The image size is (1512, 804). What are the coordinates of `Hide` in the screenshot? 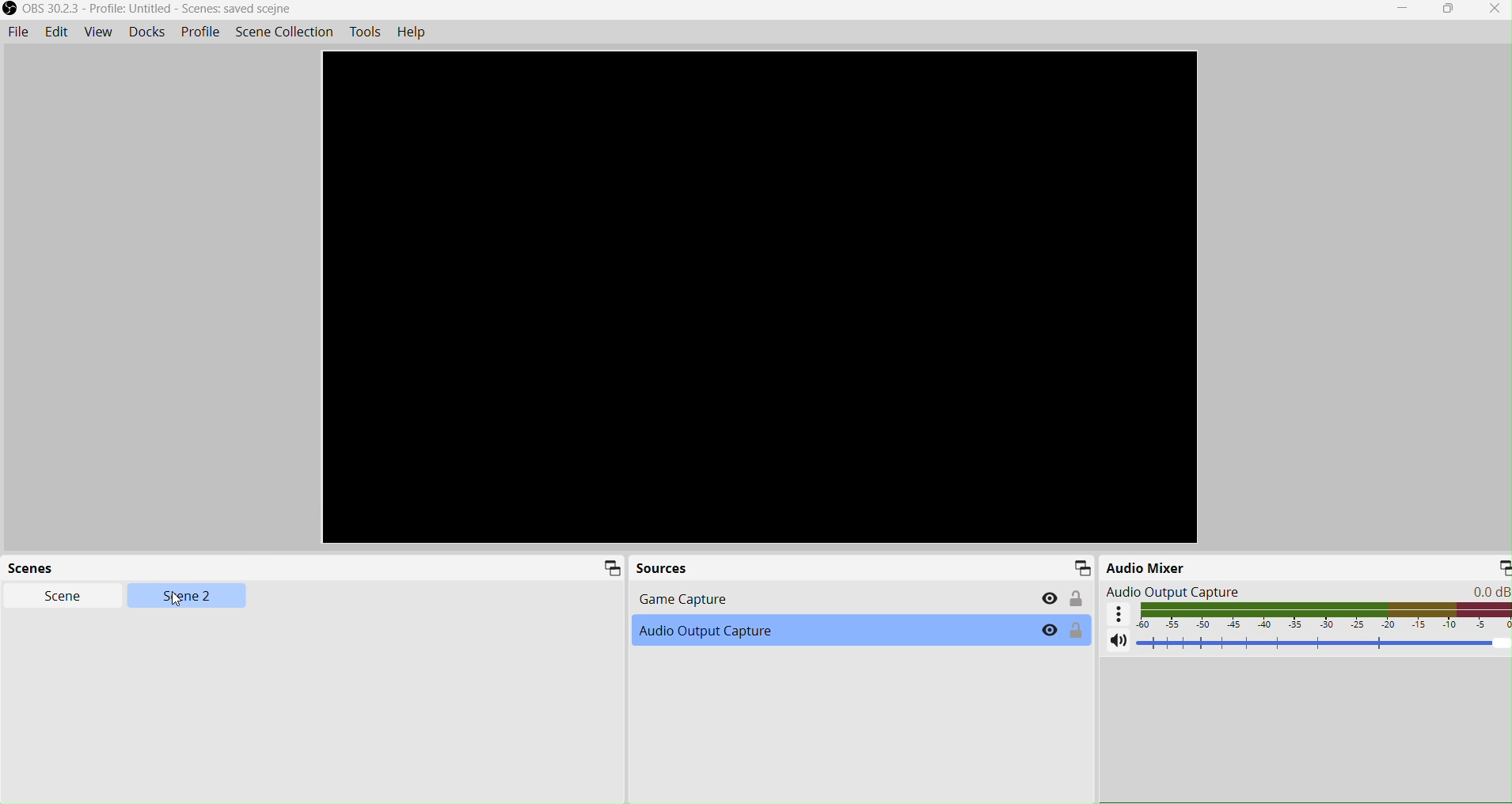 It's located at (1050, 631).